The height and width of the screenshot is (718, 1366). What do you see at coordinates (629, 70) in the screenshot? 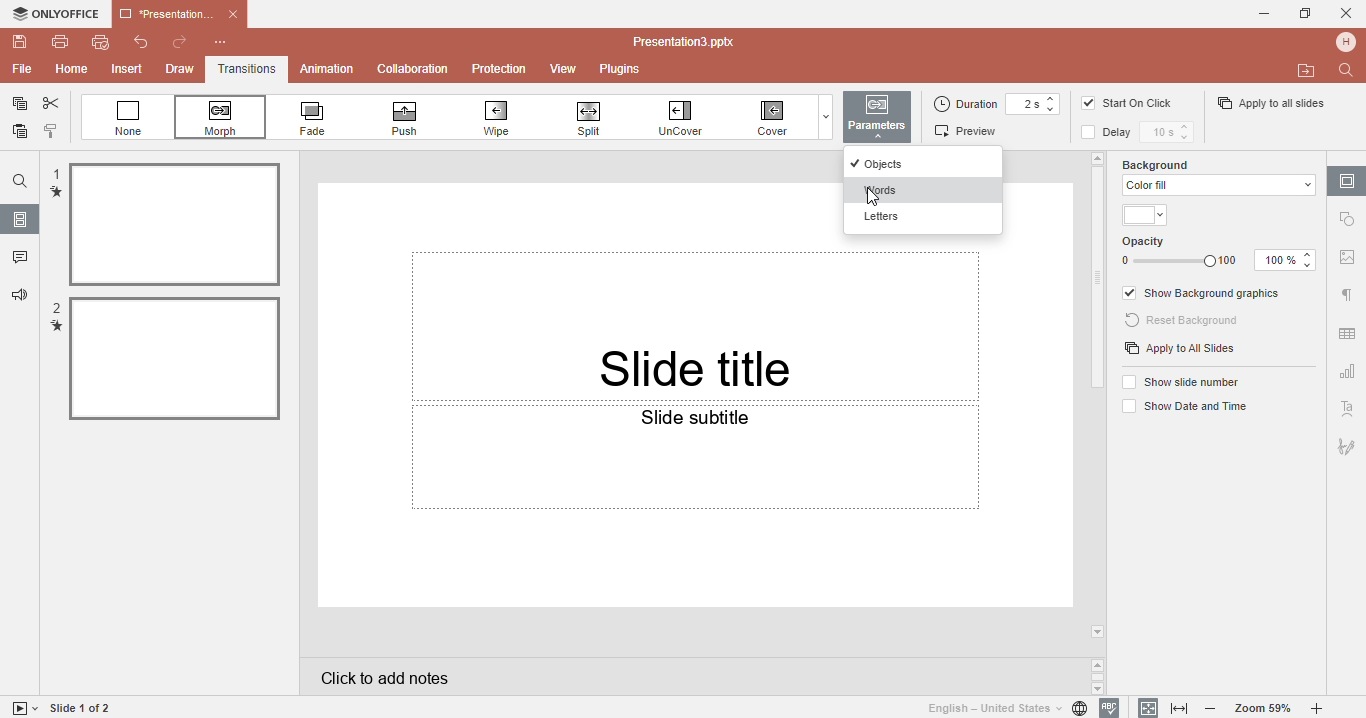
I see `Plugins` at bounding box center [629, 70].